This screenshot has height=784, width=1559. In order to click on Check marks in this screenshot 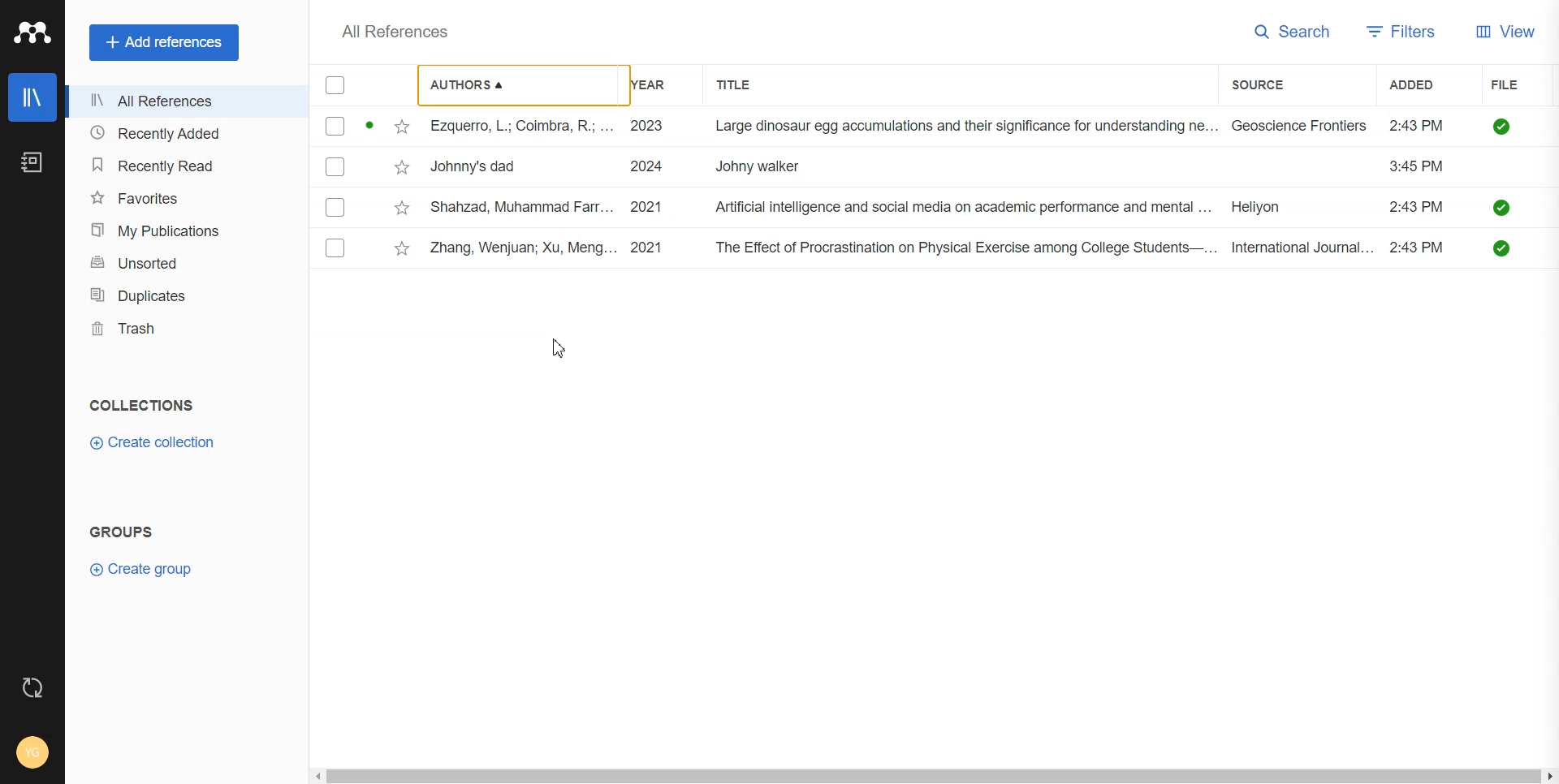, I will do `click(336, 86)`.